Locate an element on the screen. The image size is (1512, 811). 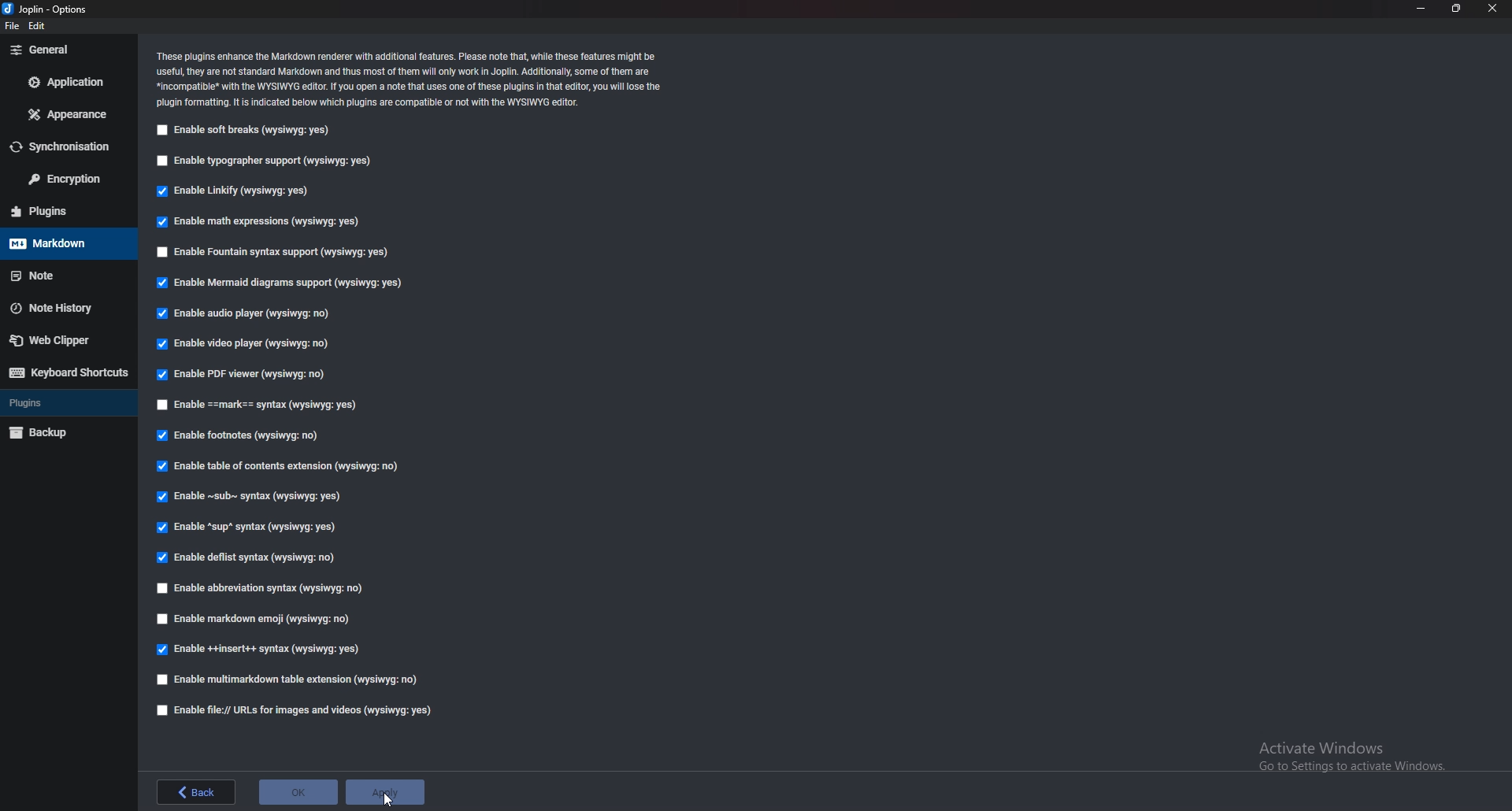
Enable markdown emoji is located at coordinates (256, 619).